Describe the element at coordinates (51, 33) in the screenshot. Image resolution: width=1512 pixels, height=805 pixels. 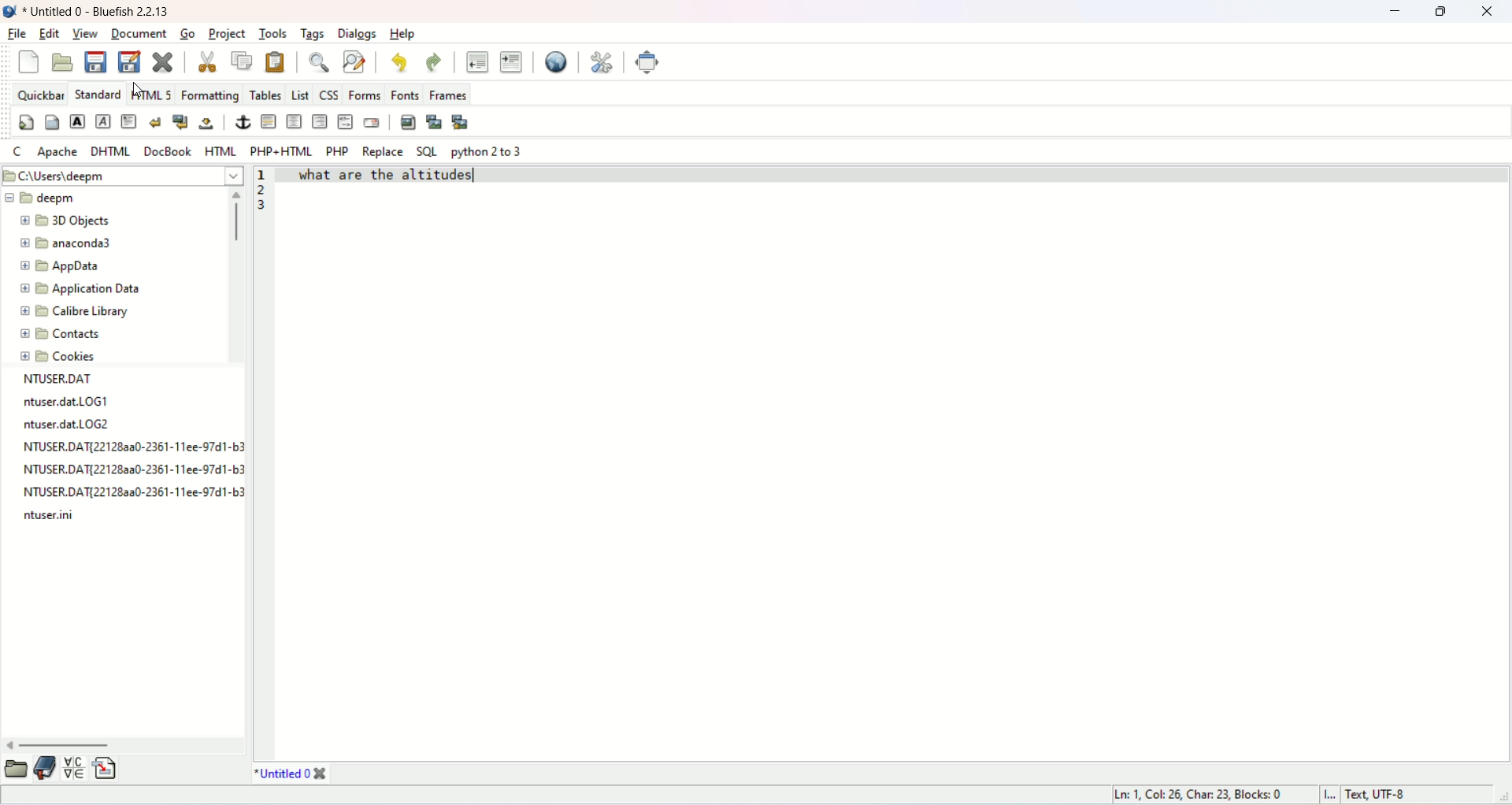
I see `edit` at that location.